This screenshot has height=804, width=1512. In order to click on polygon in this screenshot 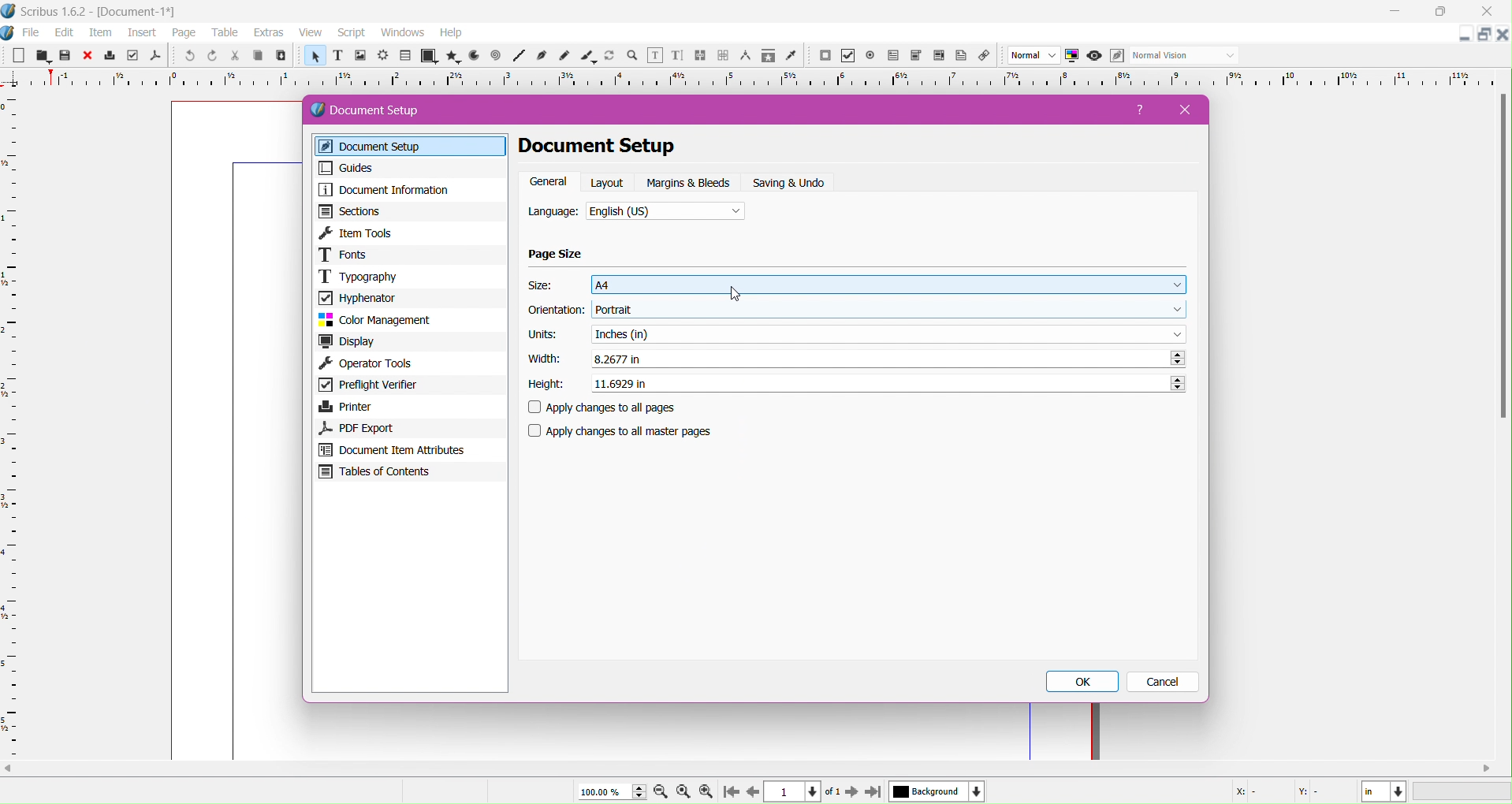, I will do `click(449, 56)`.